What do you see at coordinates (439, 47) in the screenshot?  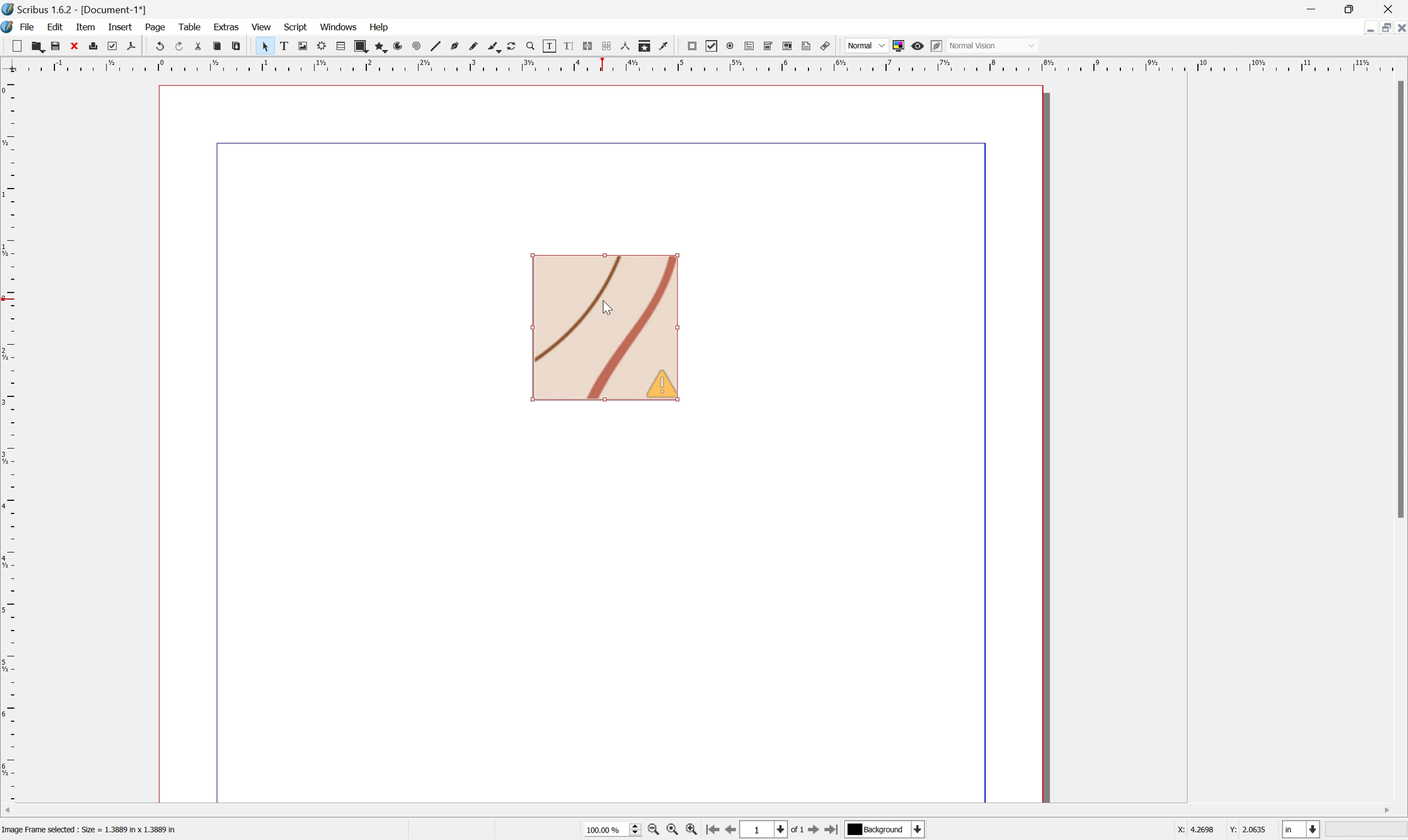 I see `Line` at bounding box center [439, 47].